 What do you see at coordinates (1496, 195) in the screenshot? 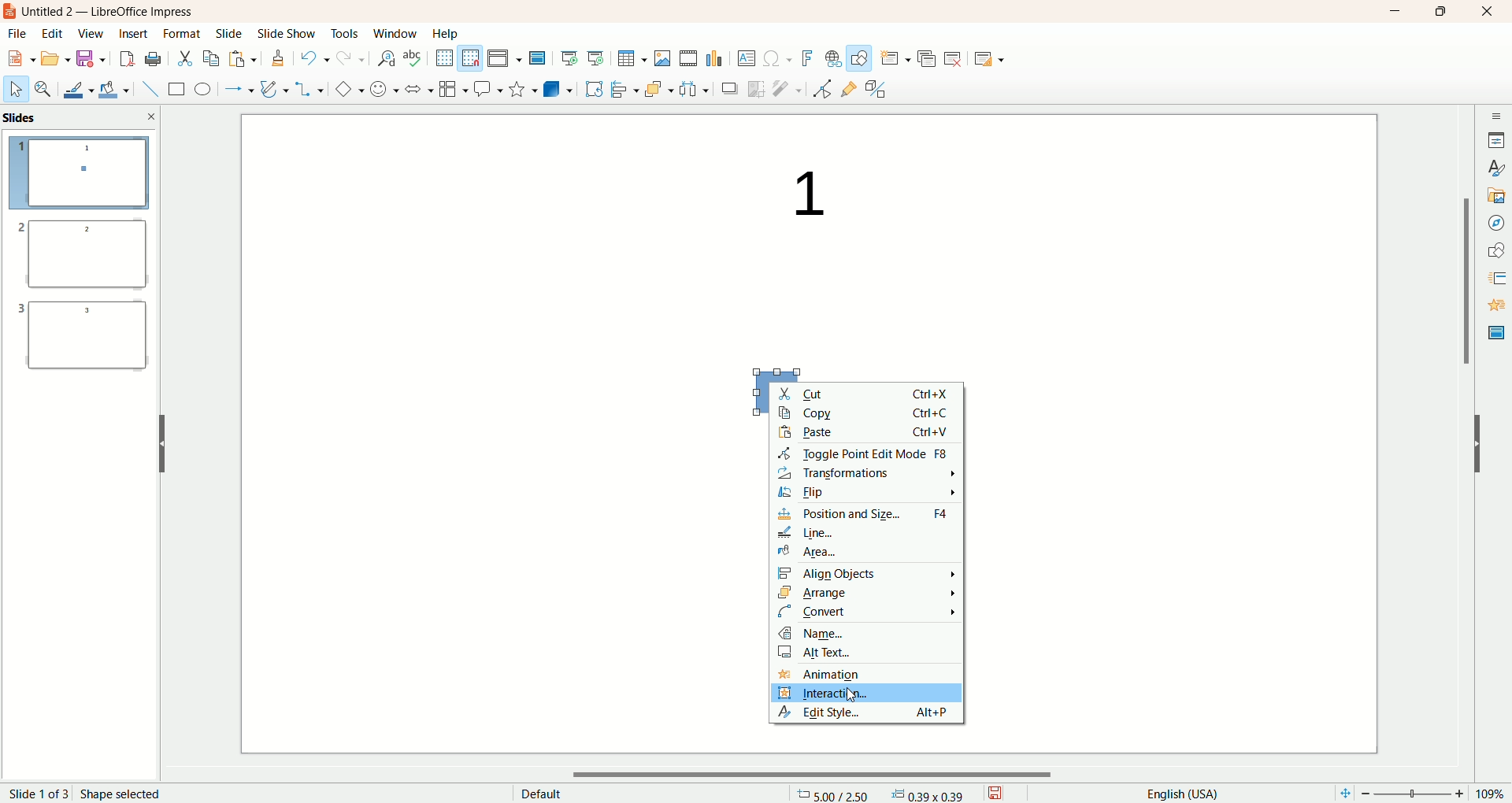
I see `gallery` at bounding box center [1496, 195].